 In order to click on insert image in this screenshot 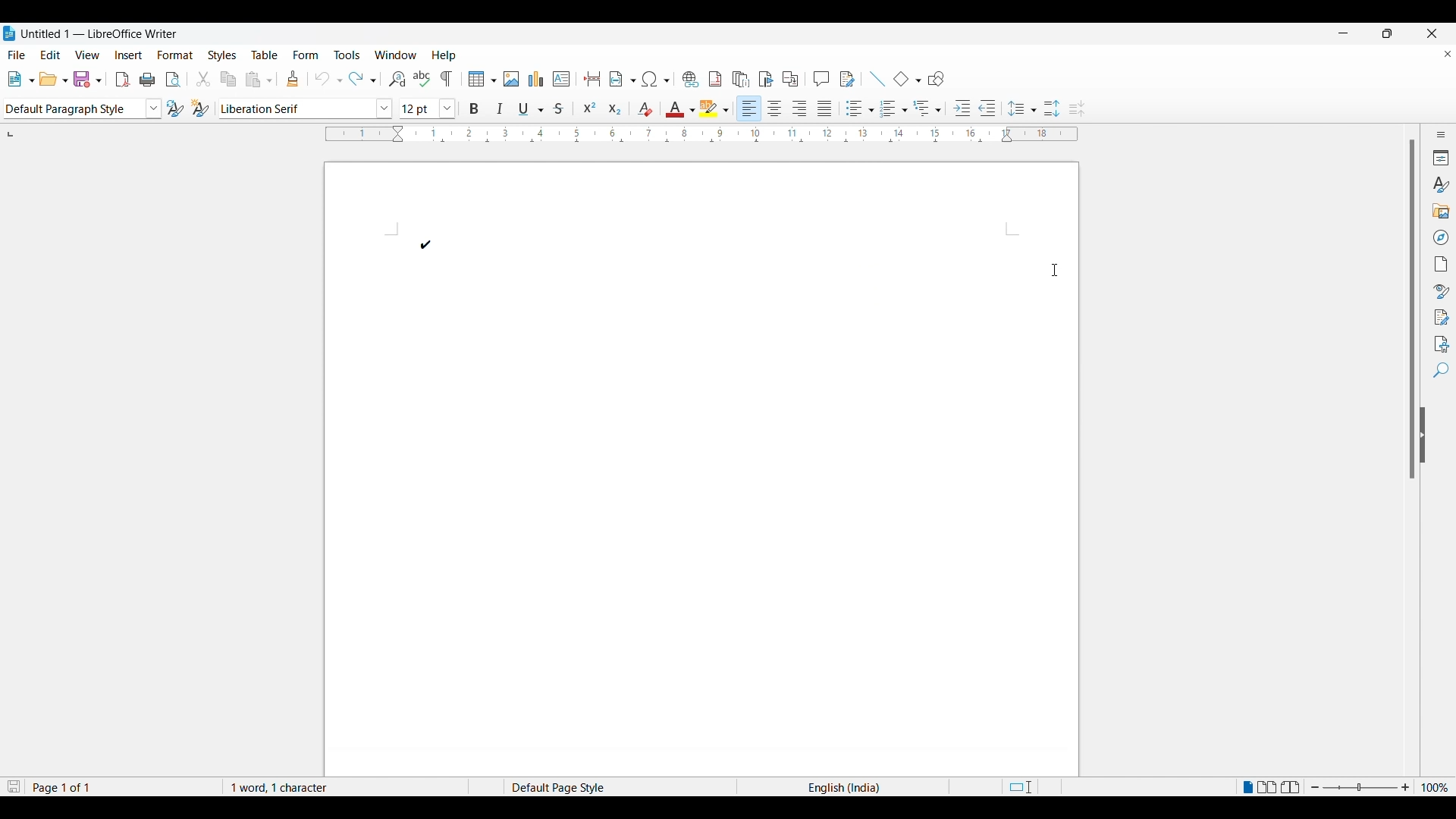, I will do `click(512, 80)`.